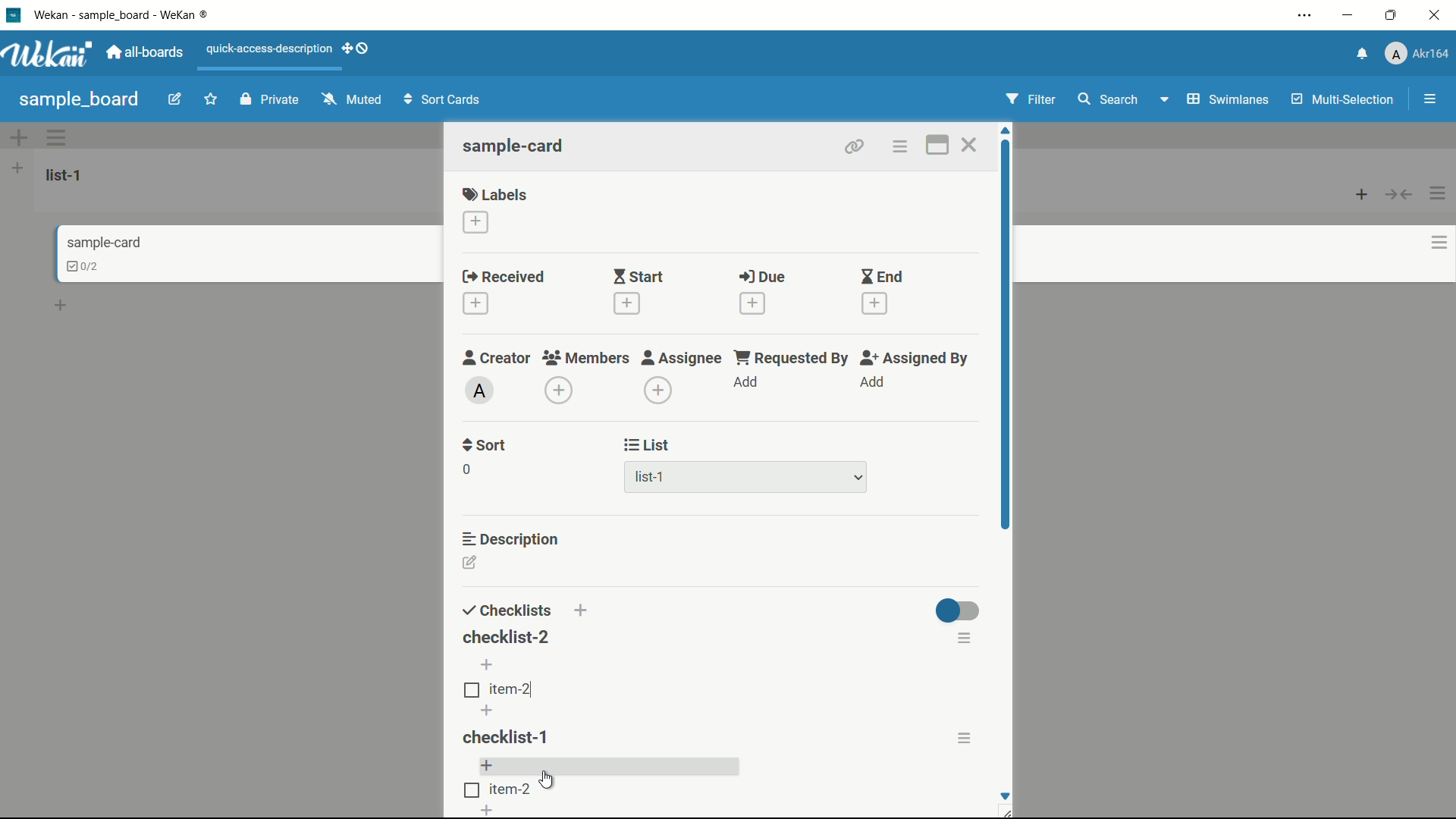 This screenshot has width=1456, height=819. Describe the element at coordinates (104, 242) in the screenshot. I see `card name` at that location.